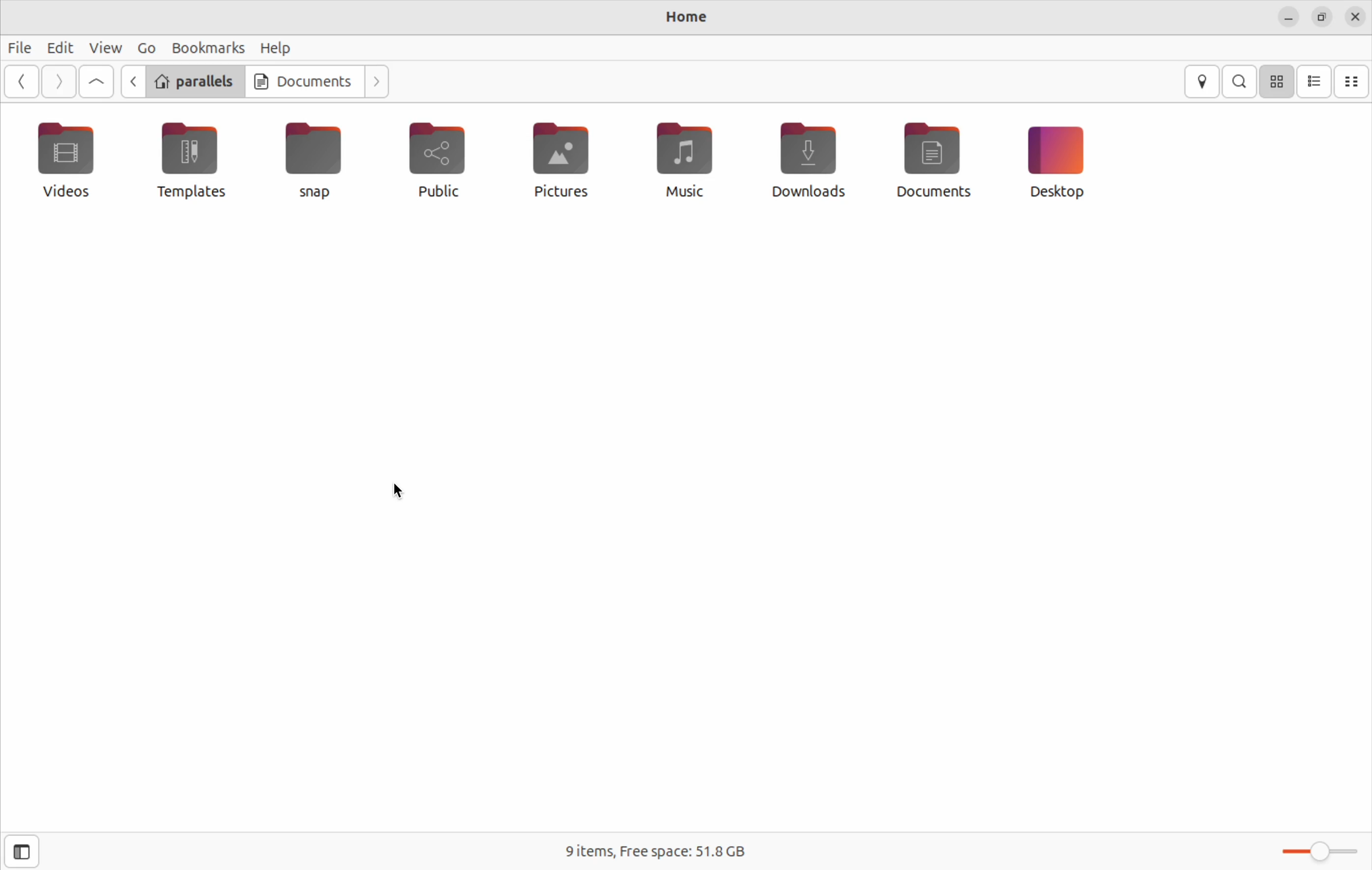 Image resolution: width=1372 pixels, height=870 pixels. I want to click on pictures, so click(565, 158).